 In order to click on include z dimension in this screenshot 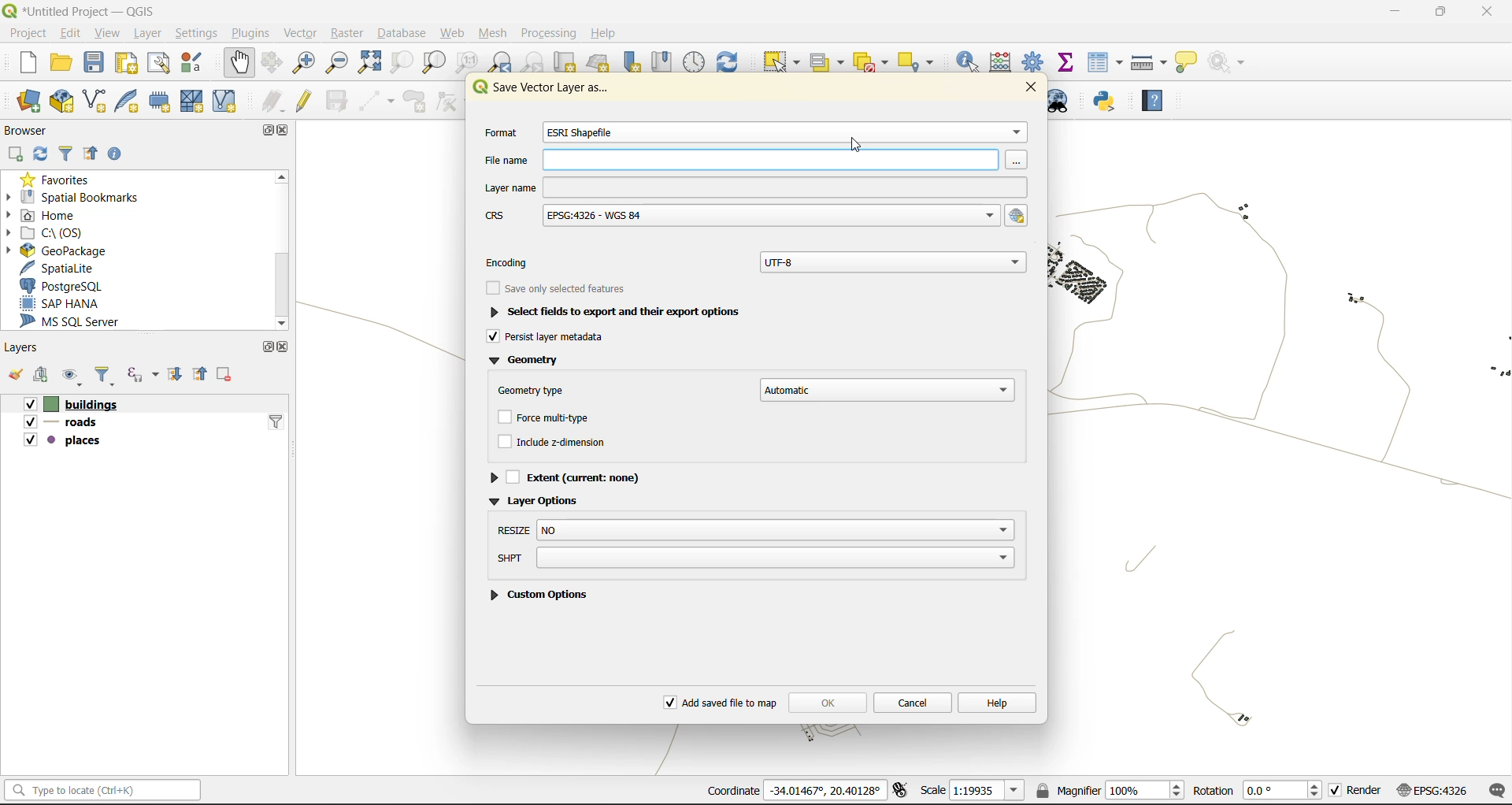, I will do `click(554, 440)`.